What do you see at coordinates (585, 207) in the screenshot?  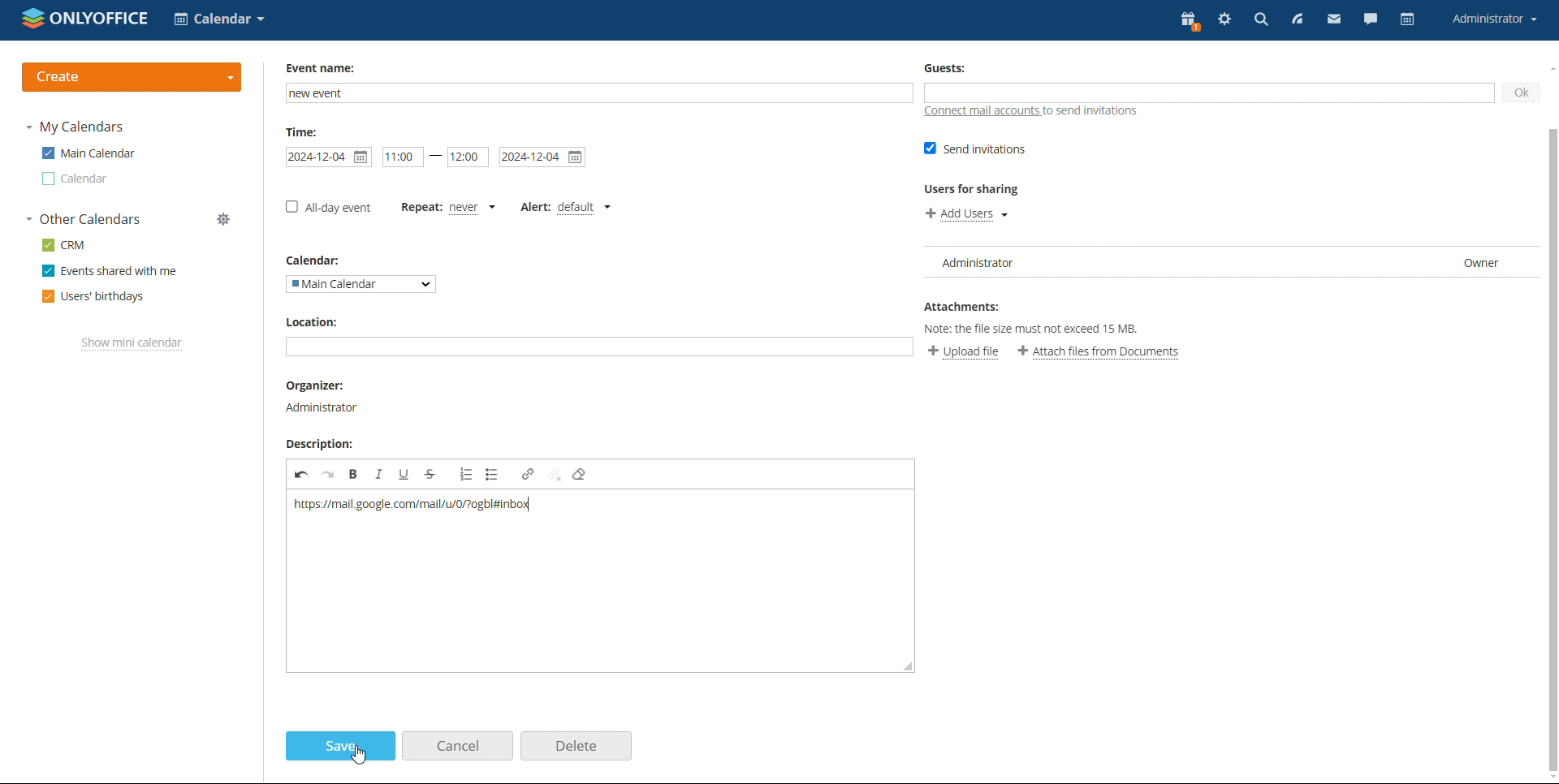 I see `default ` at bounding box center [585, 207].